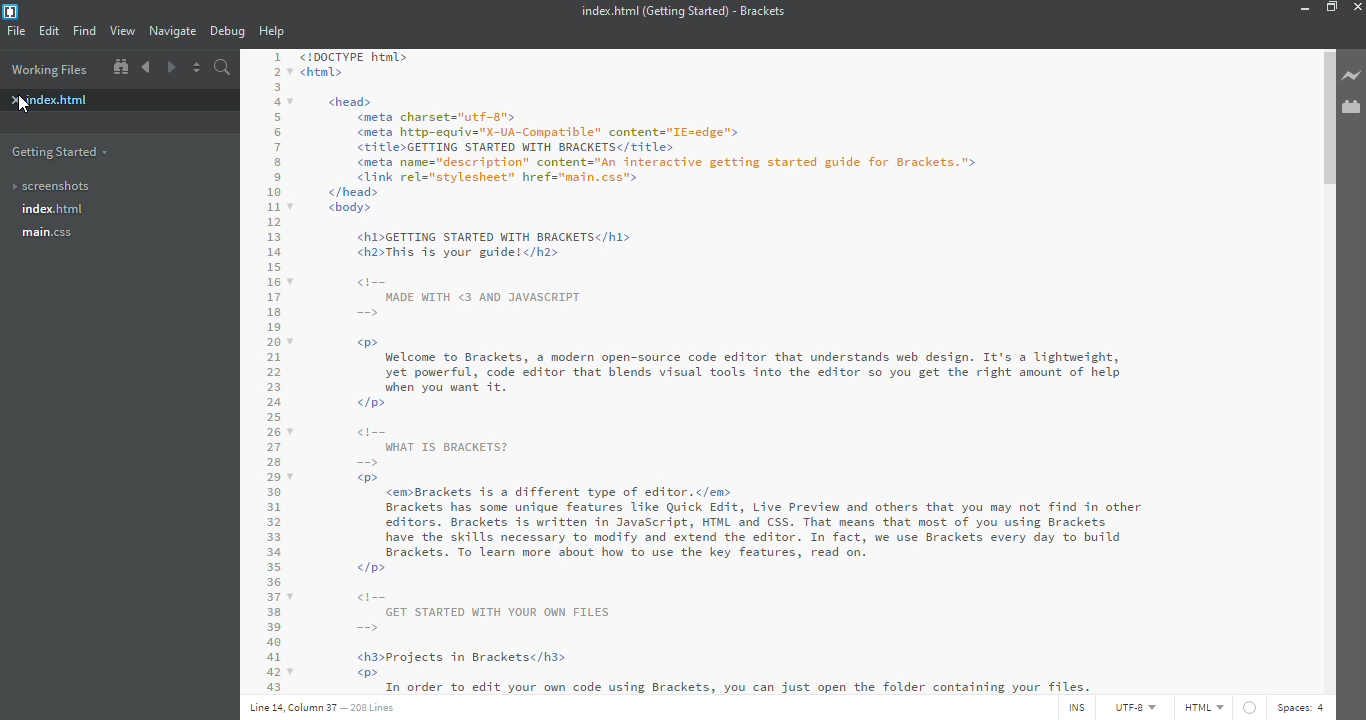  I want to click on maximize, so click(1330, 8).